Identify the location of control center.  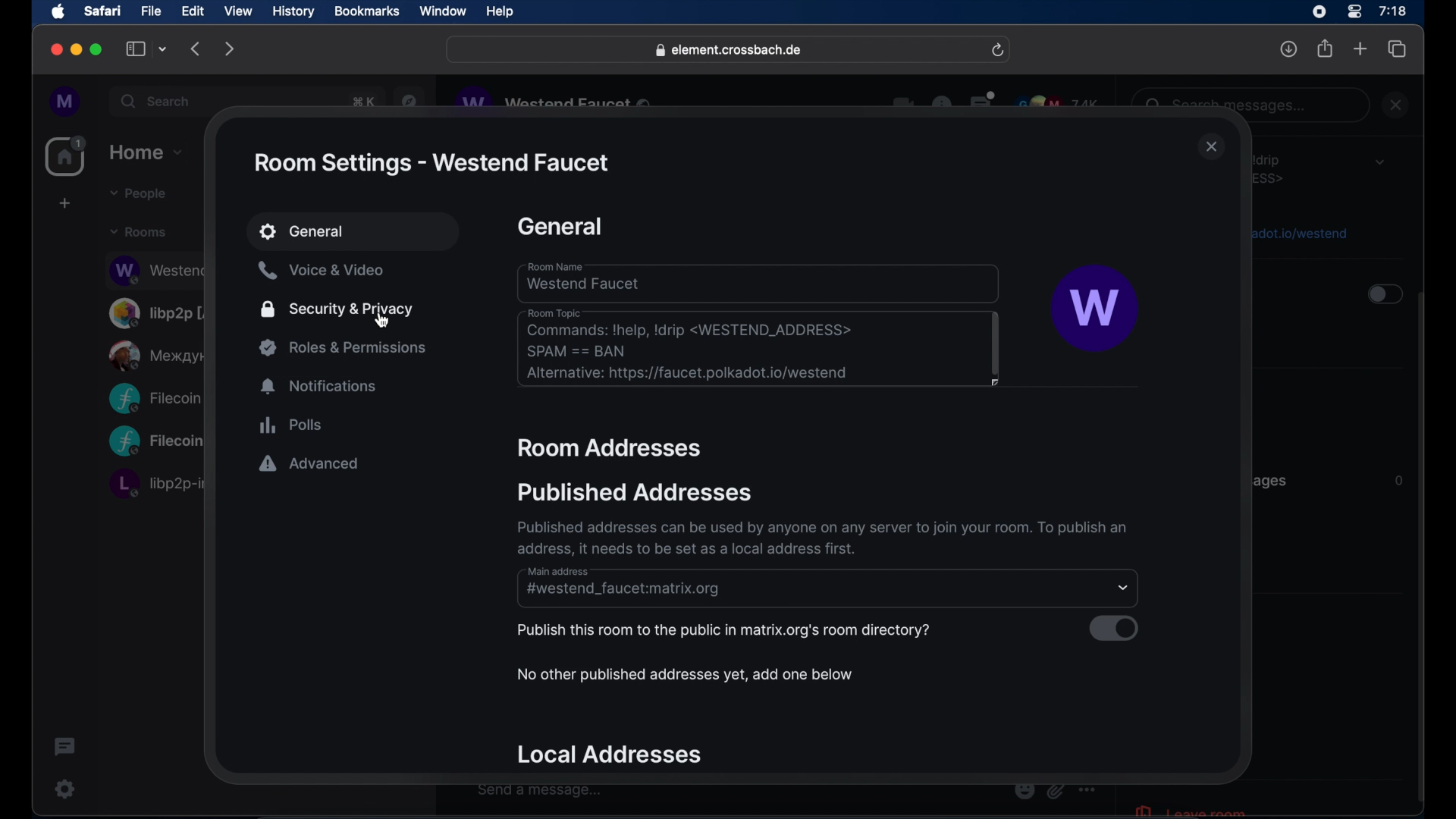
(1353, 12).